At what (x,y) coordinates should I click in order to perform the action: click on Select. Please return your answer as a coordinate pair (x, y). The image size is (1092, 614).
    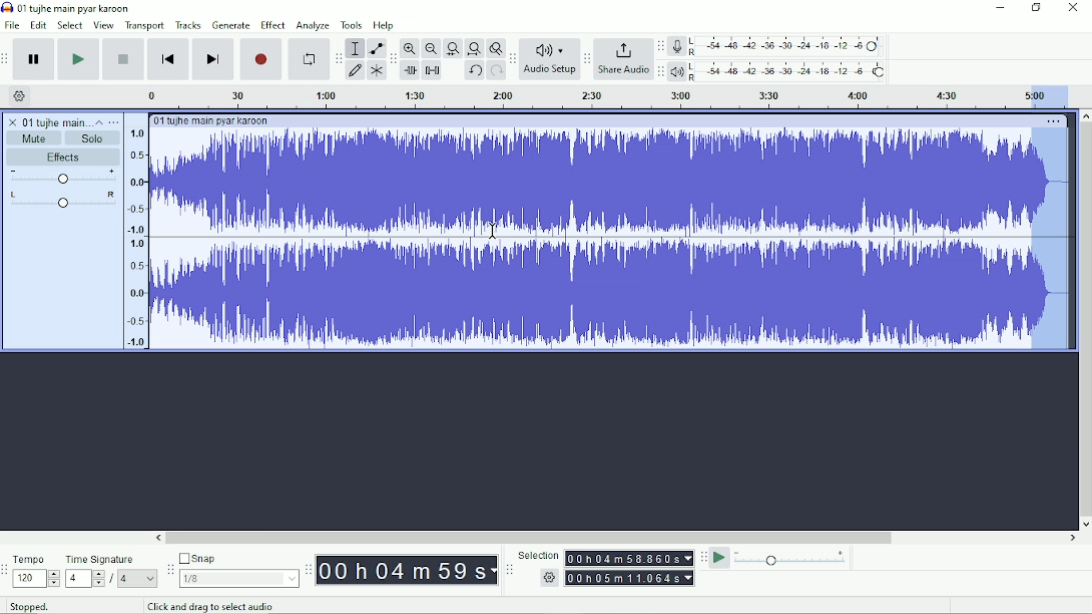
    Looking at the image, I should click on (71, 26).